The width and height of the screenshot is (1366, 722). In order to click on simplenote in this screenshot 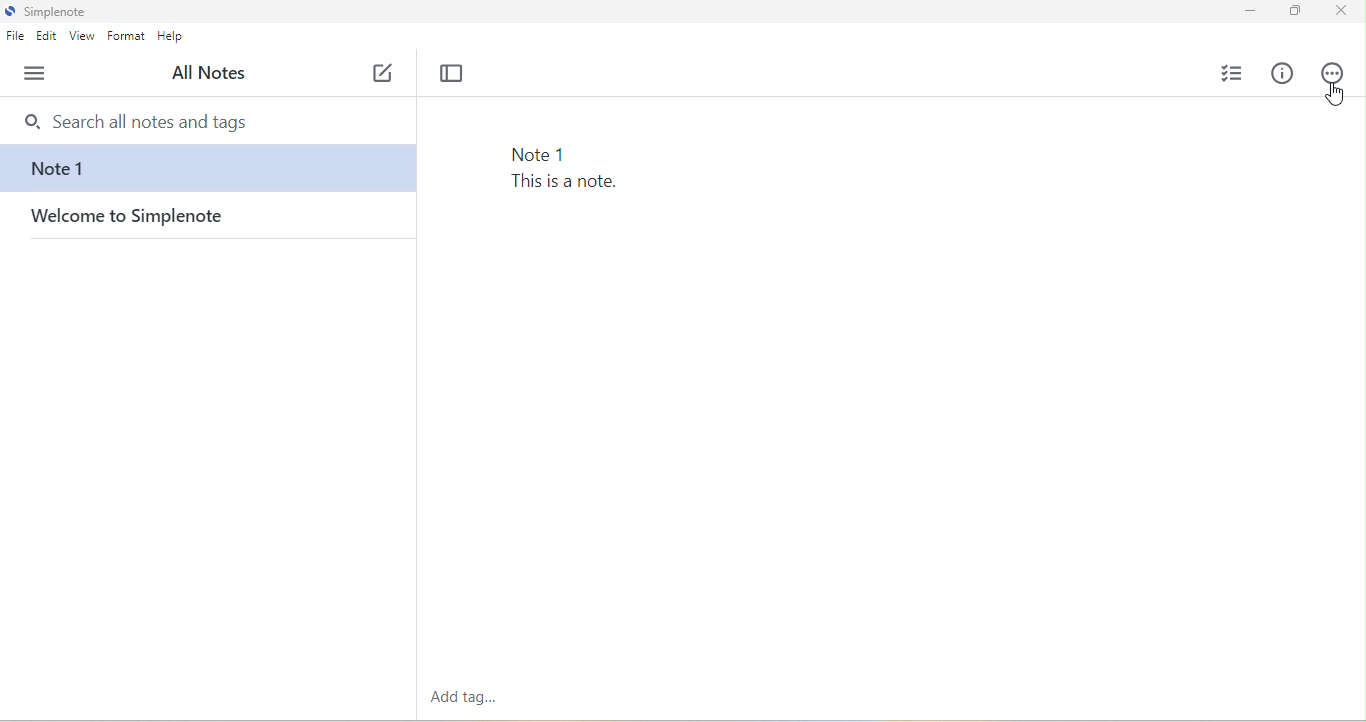, I will do `click(61, 13)`.